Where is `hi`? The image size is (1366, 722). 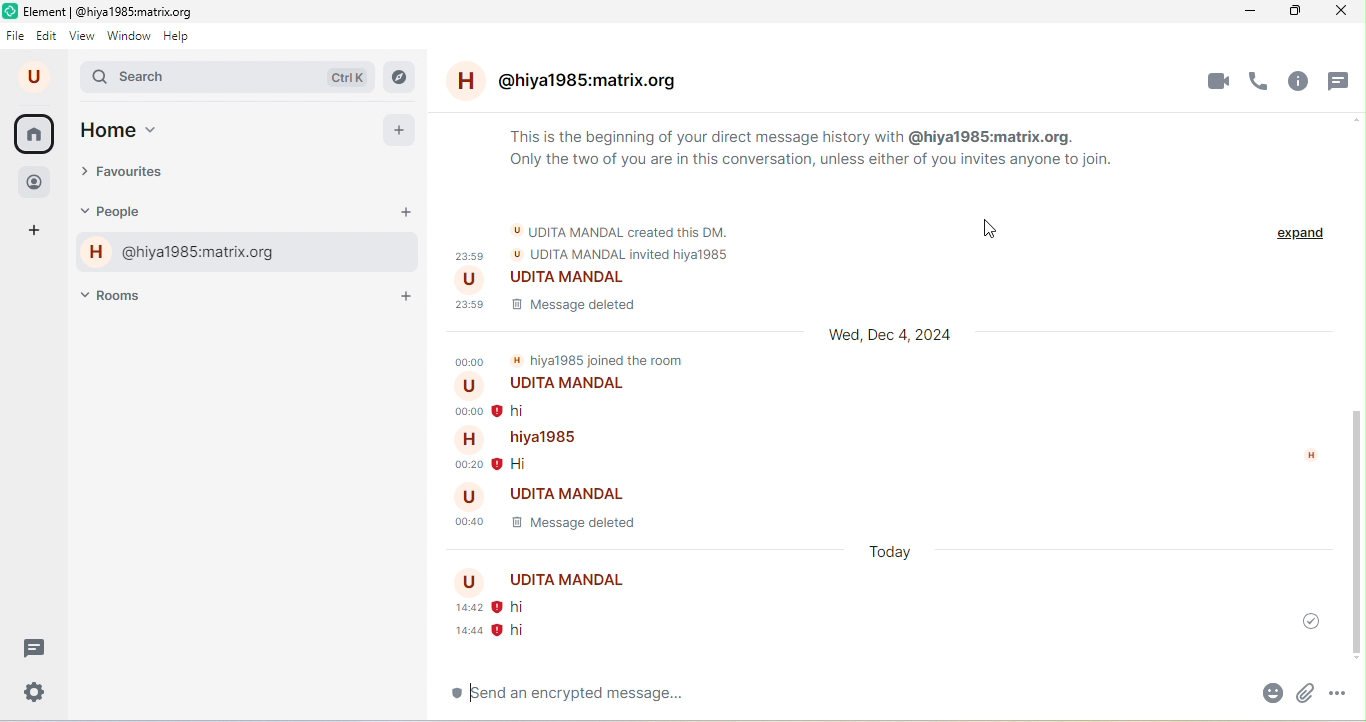 hi is located at coordinates (523, 607).